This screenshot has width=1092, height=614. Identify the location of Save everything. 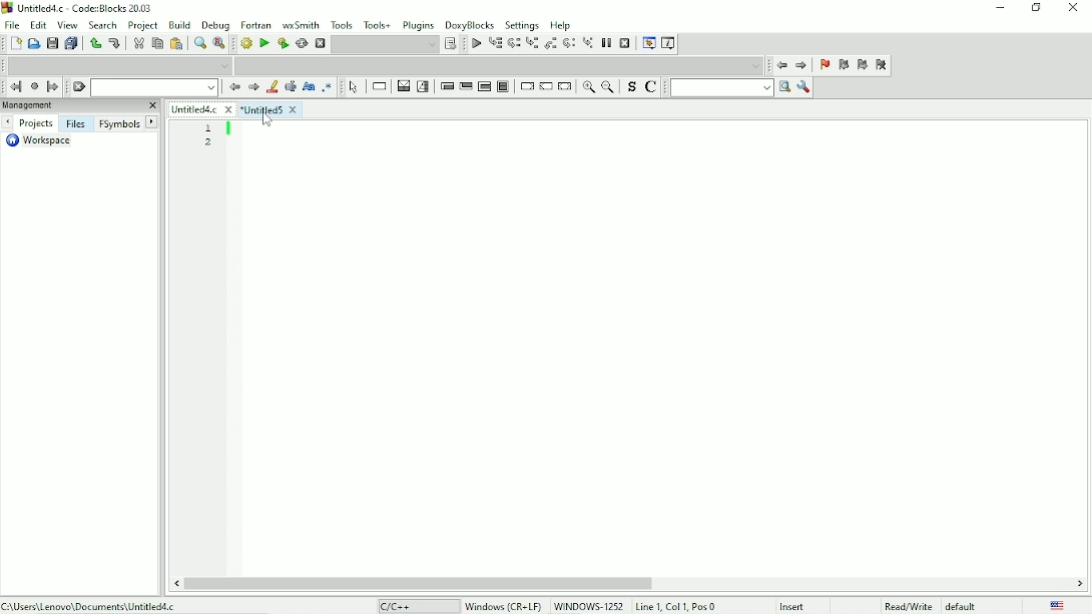
(71, 43).